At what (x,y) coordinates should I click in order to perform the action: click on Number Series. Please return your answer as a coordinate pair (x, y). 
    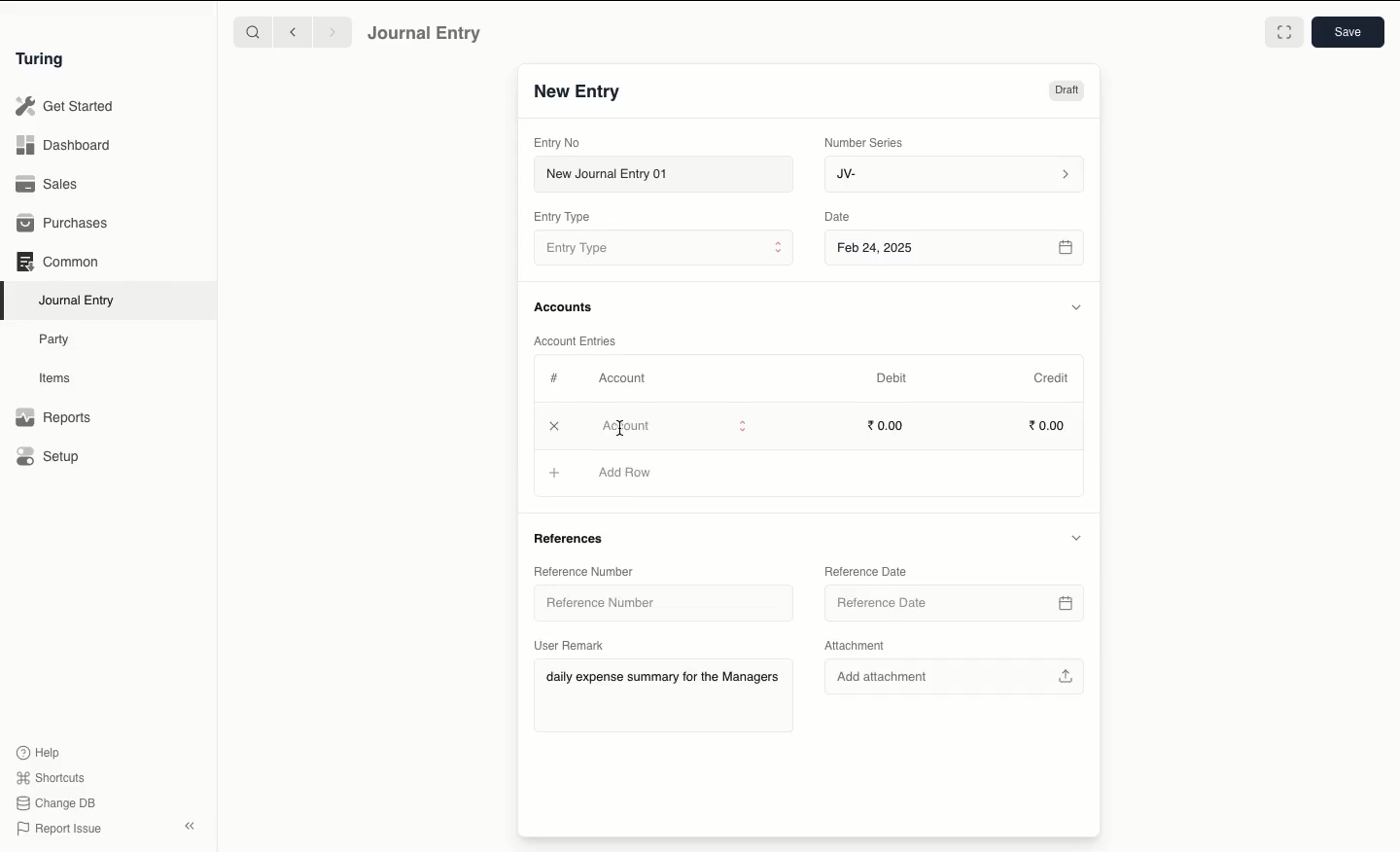
    Looking at the image, I should click on (867, 143).